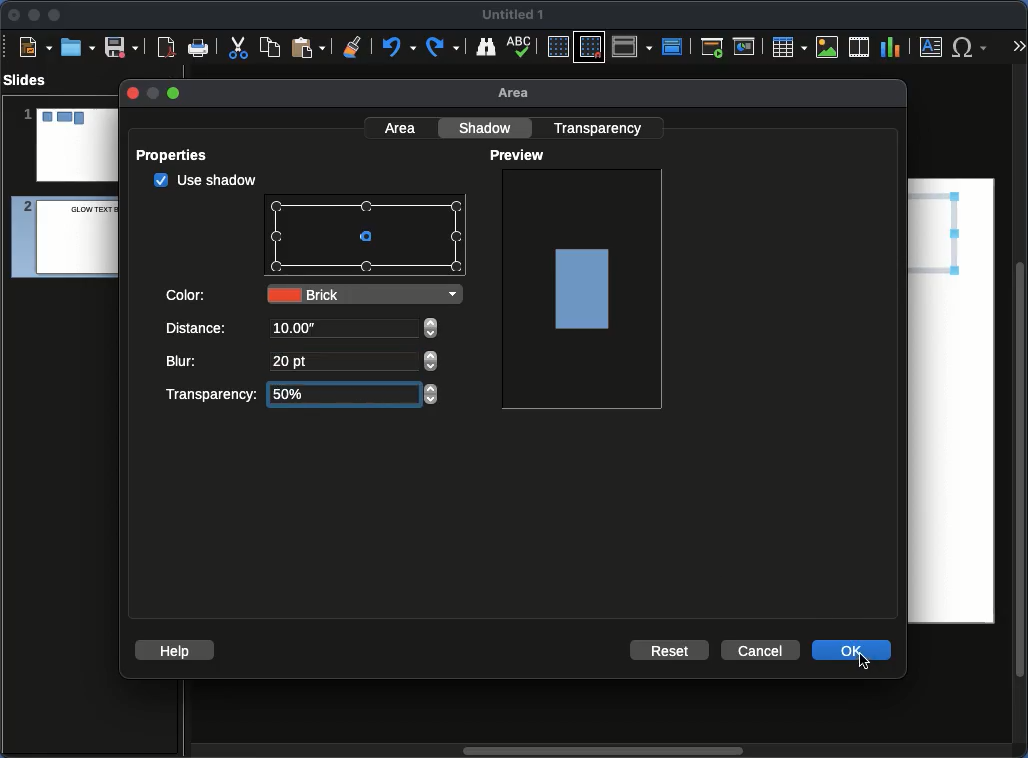  What do you see at coordinates (890, 48) in the screenshot?
I see `Chart` at bounding box center [890, 48].